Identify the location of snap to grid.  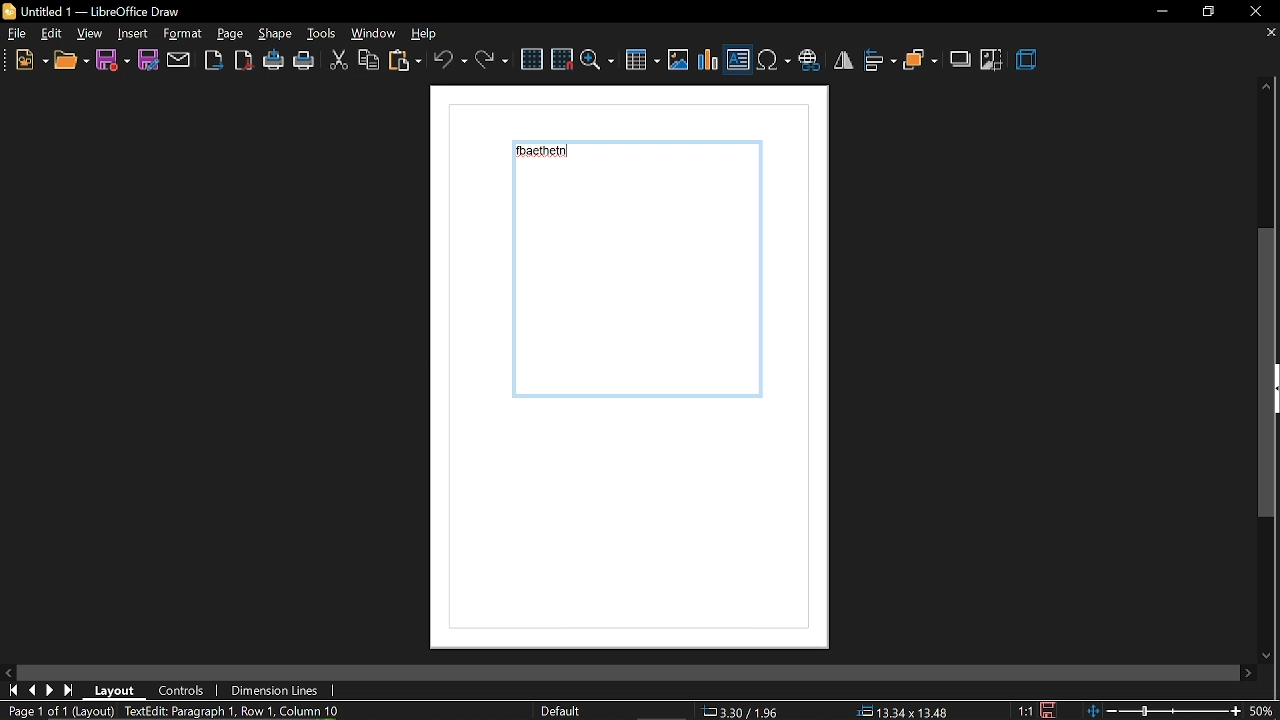
(562, 58).